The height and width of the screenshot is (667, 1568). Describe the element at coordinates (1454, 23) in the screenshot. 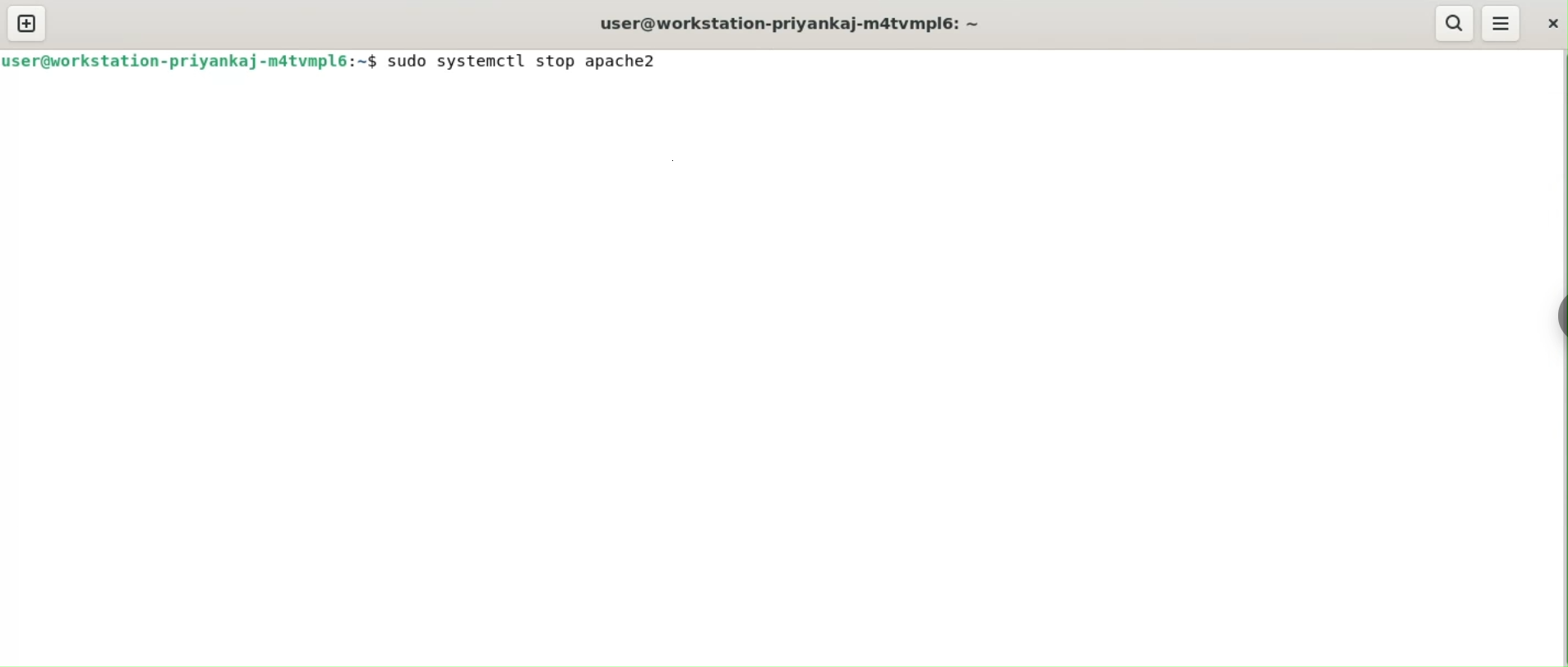

I see `search` at that location.